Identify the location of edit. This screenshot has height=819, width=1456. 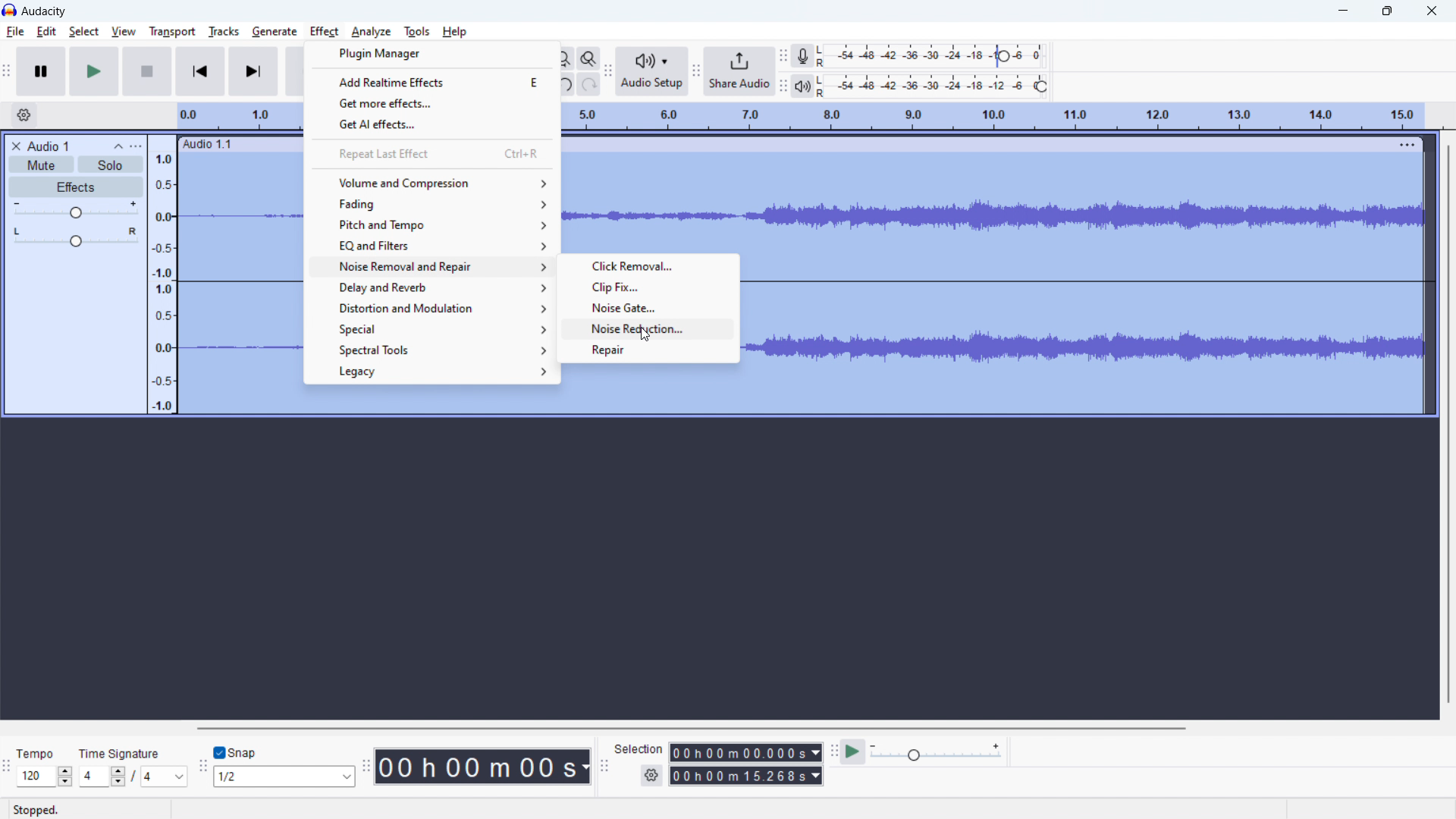
(47, 32).